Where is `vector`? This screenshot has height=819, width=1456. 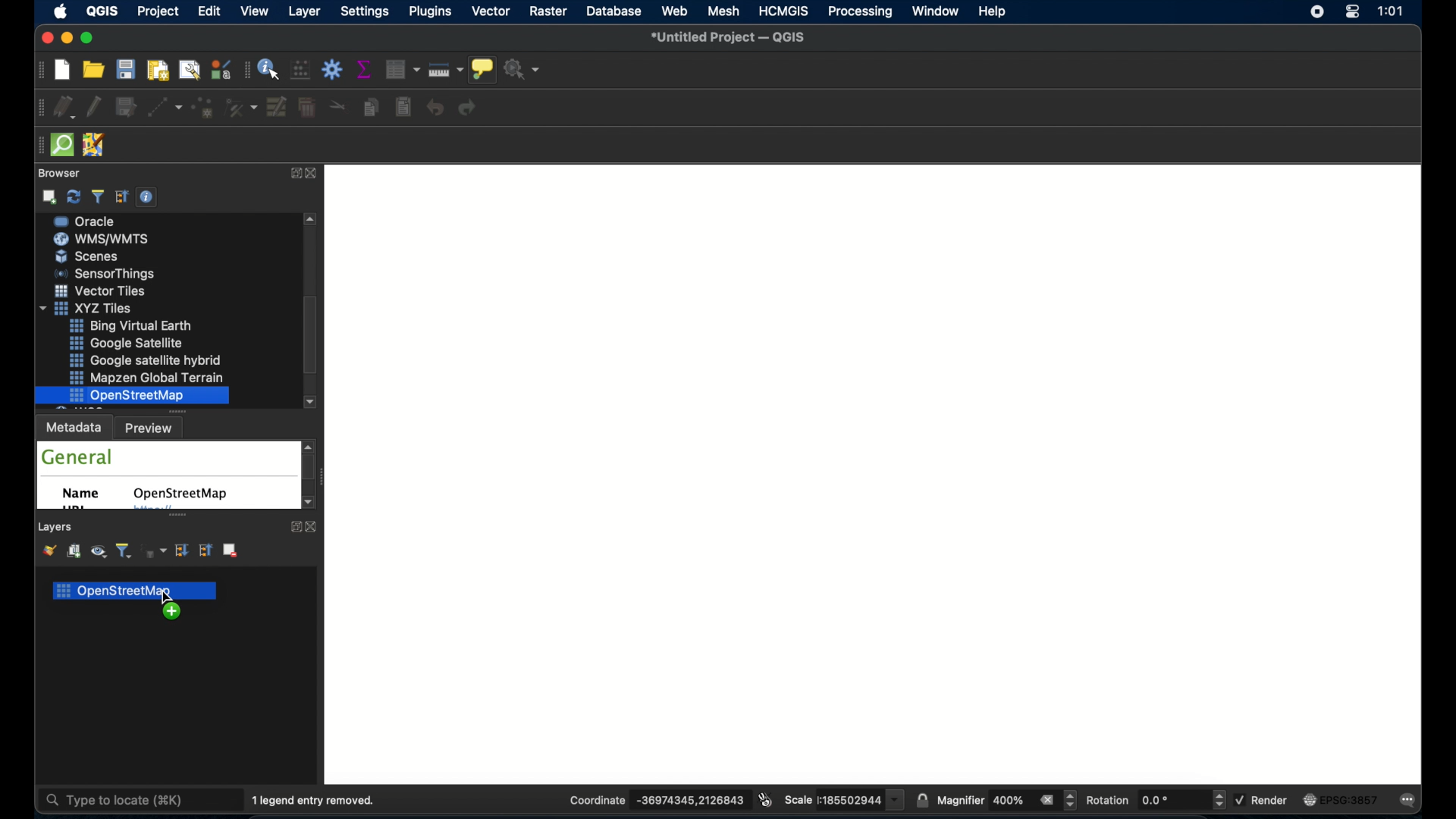
vector is located at coordinates (492, 11).